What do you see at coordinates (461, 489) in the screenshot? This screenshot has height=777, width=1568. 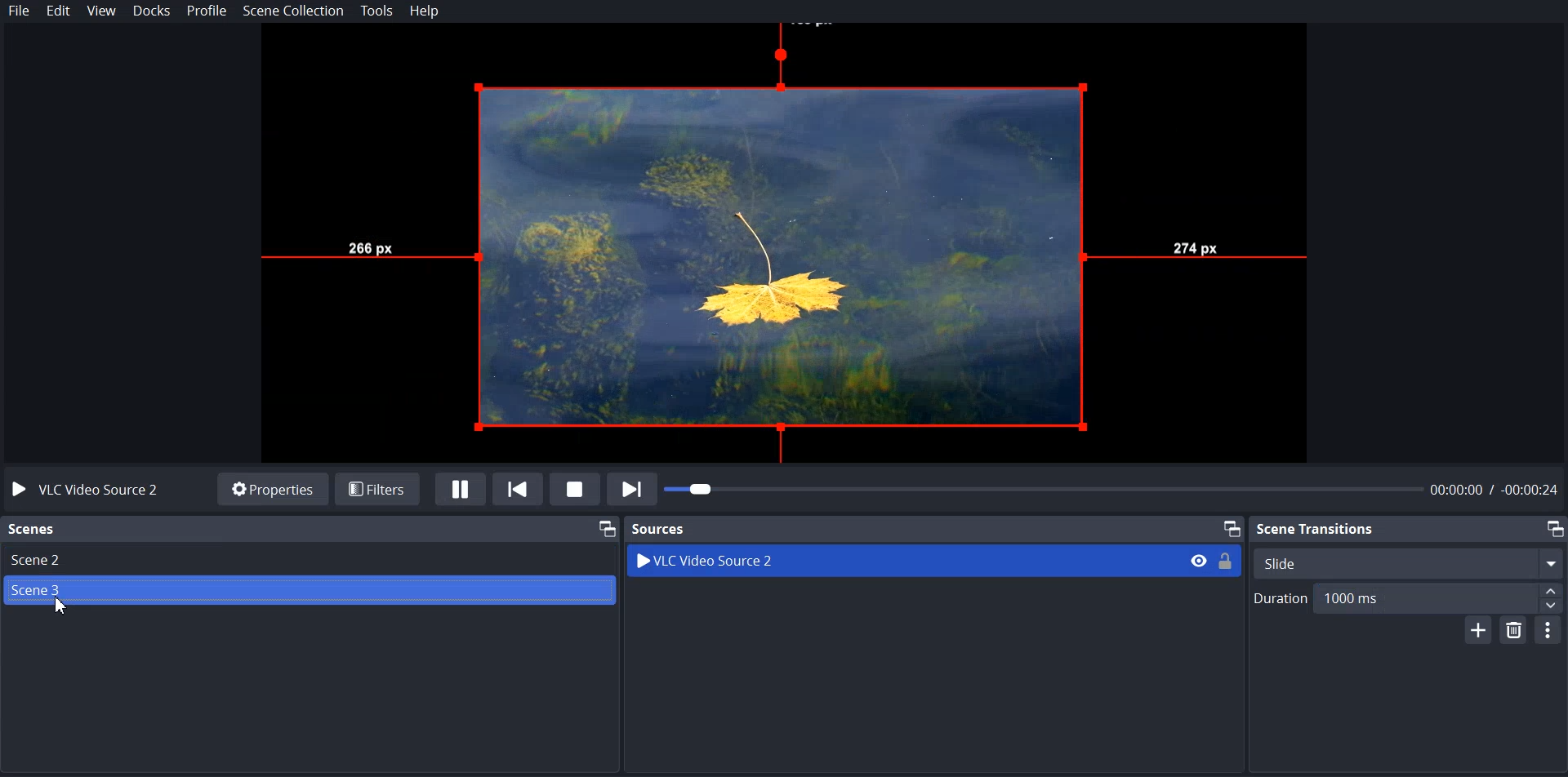 I see `Pause Media` at bounding box center [461, 489].